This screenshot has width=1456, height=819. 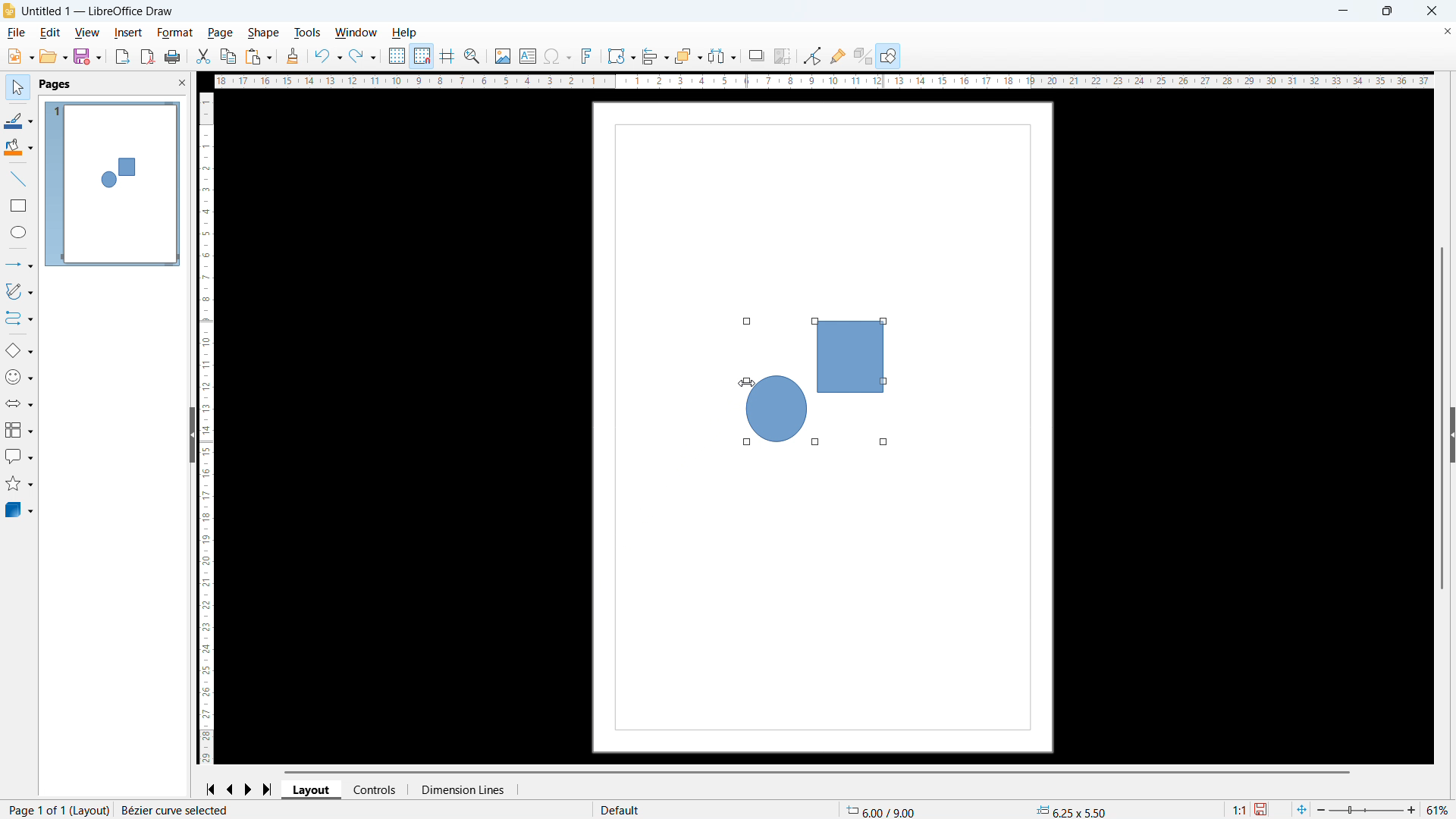 I want to click on Page display , so click(x=113, y=184).